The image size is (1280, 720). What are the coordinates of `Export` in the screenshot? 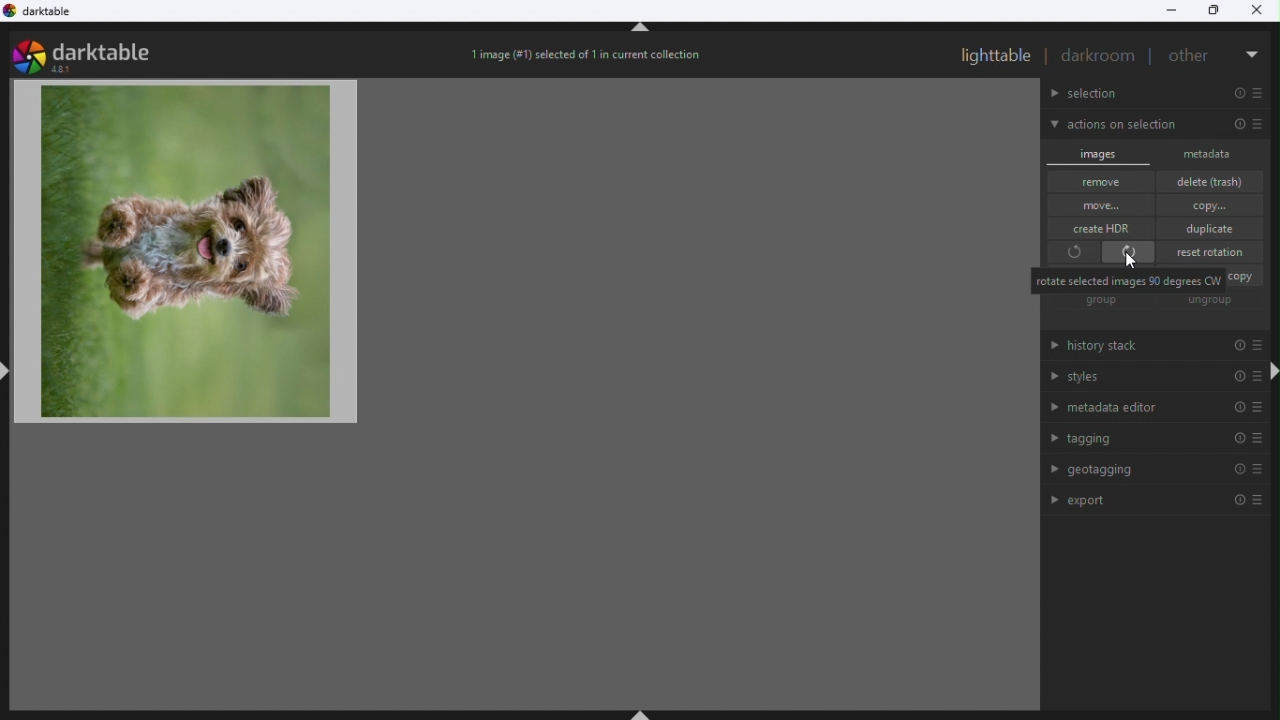 It's located at (1162, 499).